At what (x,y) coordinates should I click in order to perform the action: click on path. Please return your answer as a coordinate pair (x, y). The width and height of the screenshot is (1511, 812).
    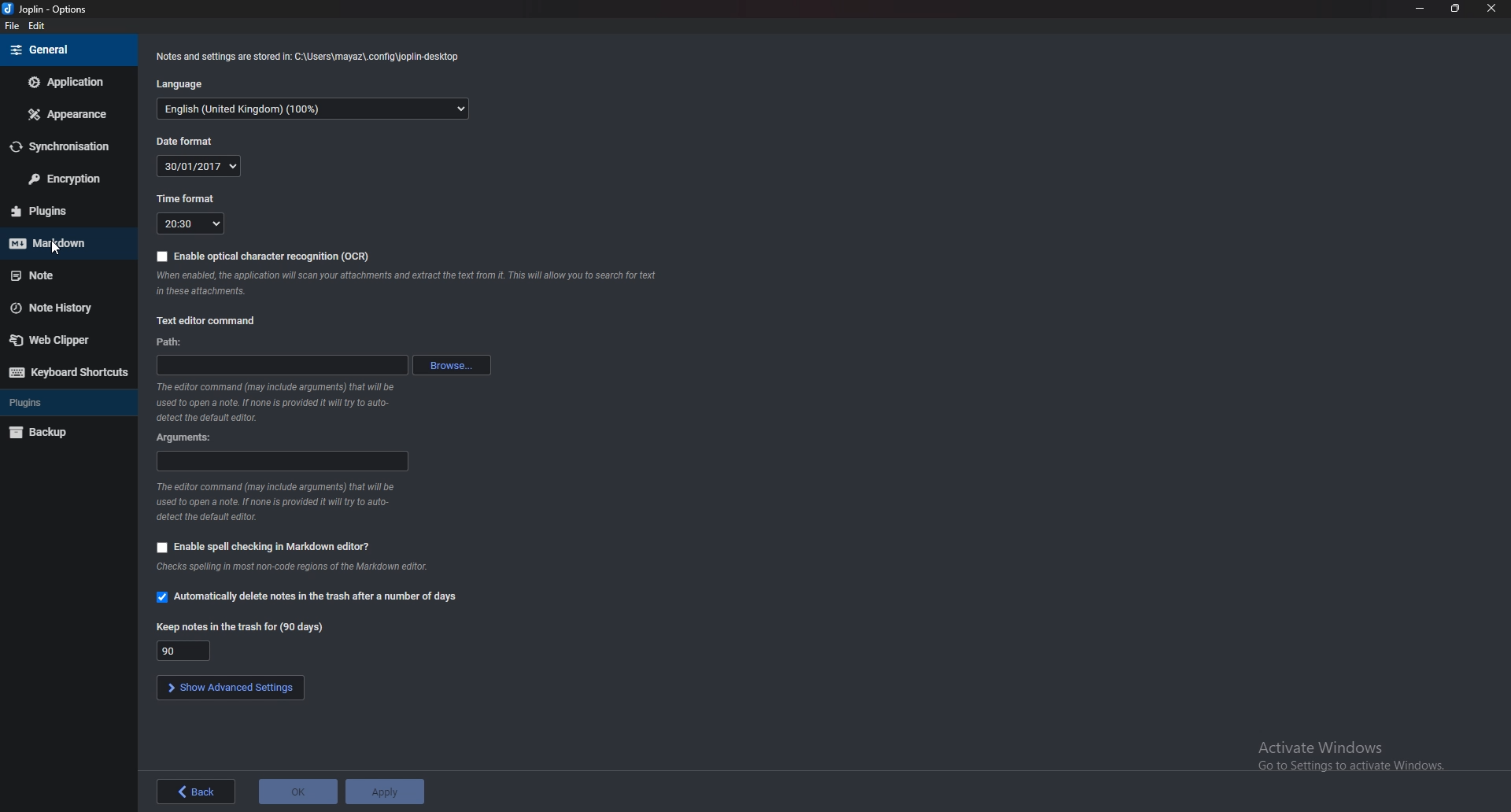
    Looking at the image, I should click on (279, 364).